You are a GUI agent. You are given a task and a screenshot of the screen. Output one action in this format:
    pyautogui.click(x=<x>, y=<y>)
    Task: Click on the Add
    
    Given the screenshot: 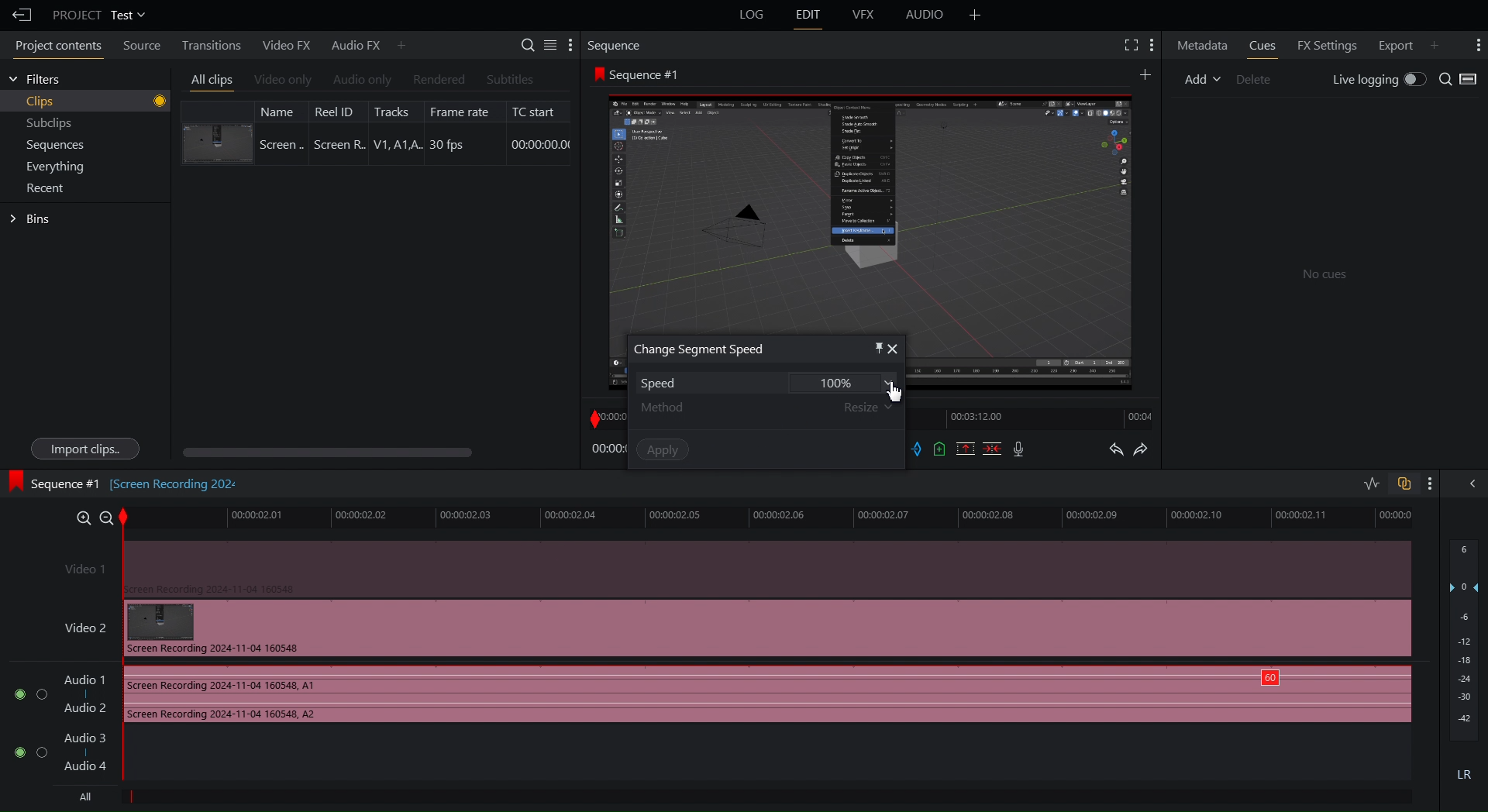 What is the action you would take?
    pyautogui.click(x=1202, y=77)
    